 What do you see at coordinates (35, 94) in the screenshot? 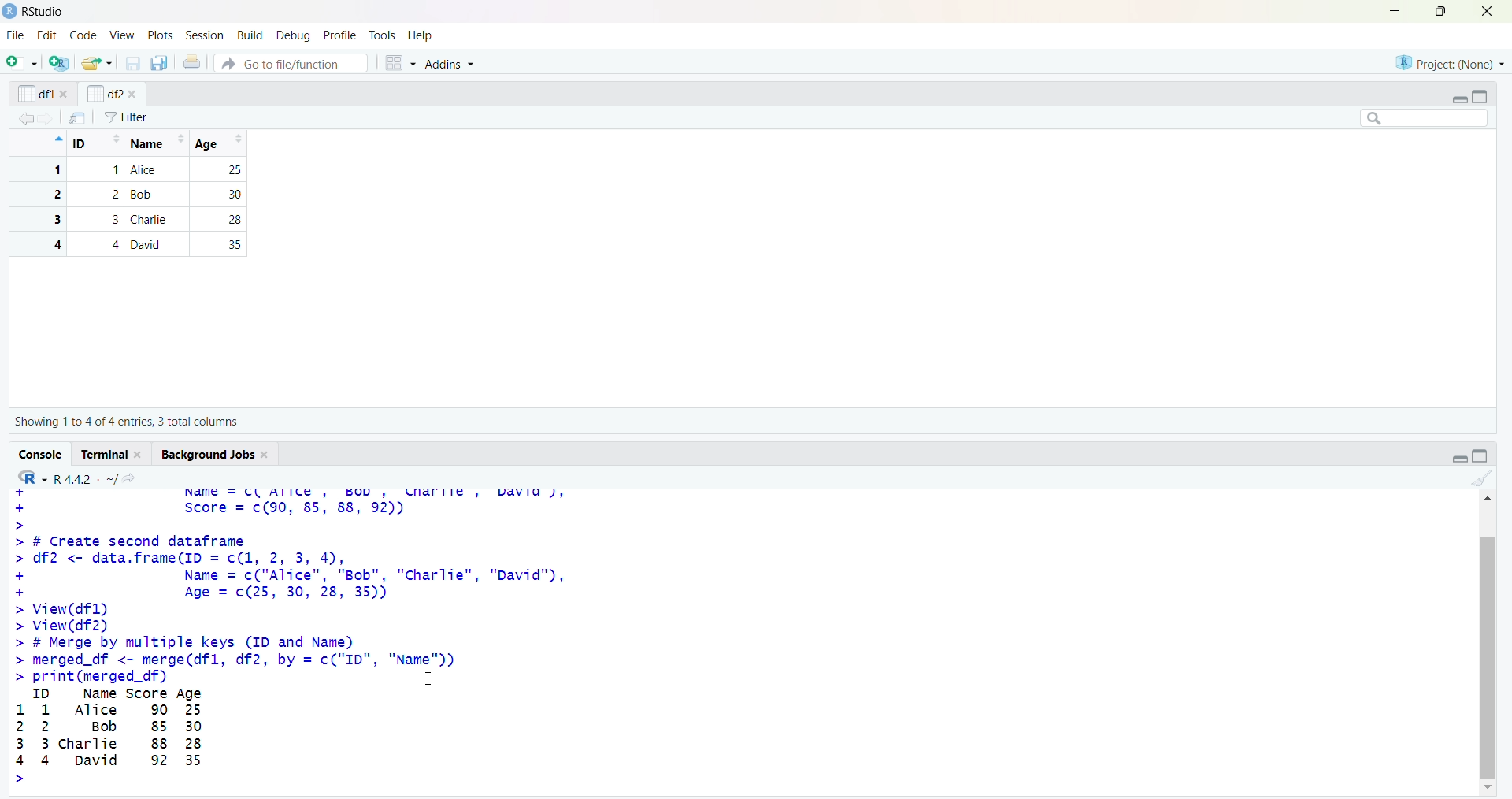
I see `df1` at bounding box center [35, 94].